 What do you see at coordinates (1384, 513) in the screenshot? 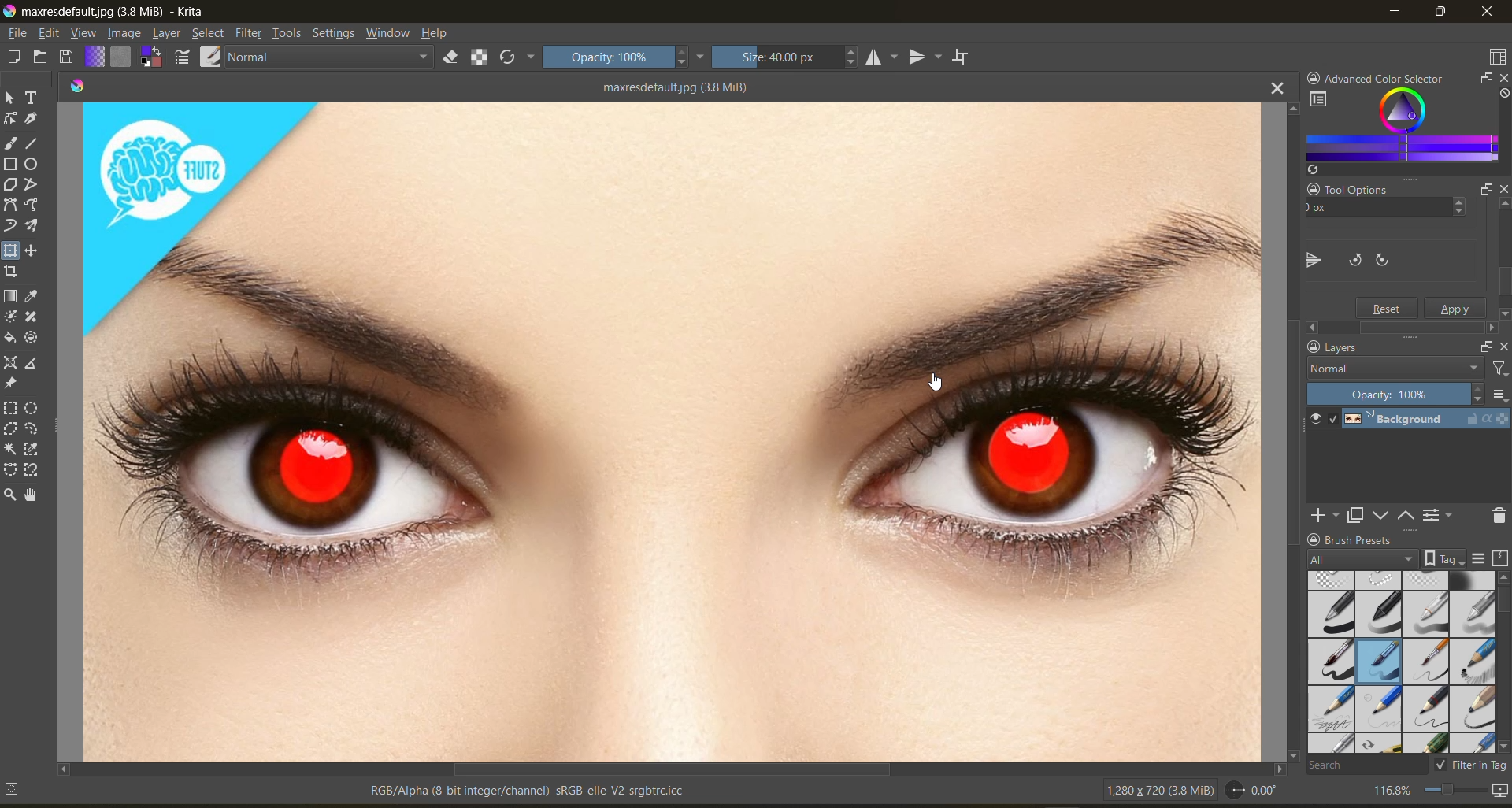
I see `mask down` at bounding box center [1384, 513].